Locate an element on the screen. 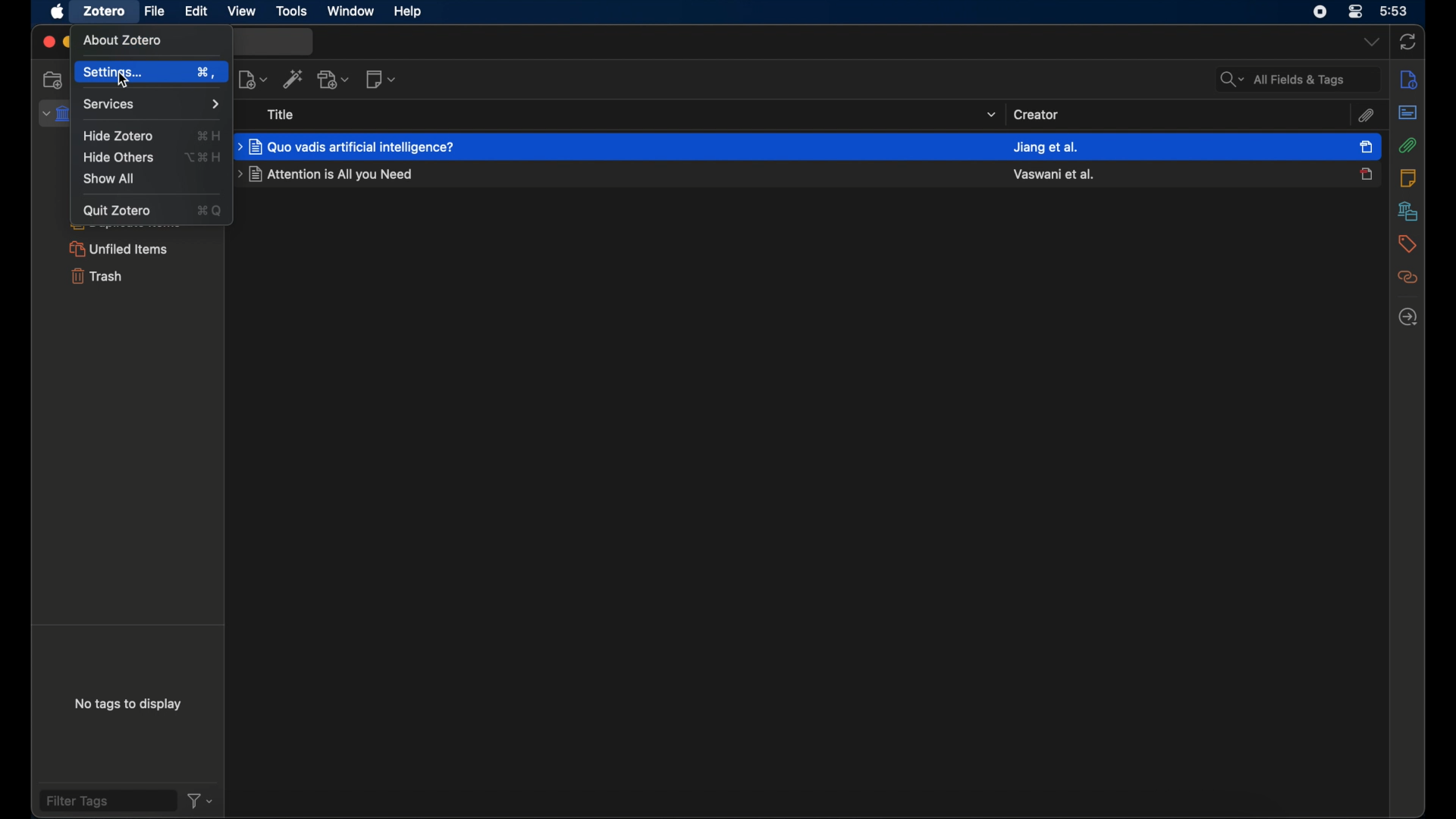  dropdown menu is located at coordinates (1370, 43).